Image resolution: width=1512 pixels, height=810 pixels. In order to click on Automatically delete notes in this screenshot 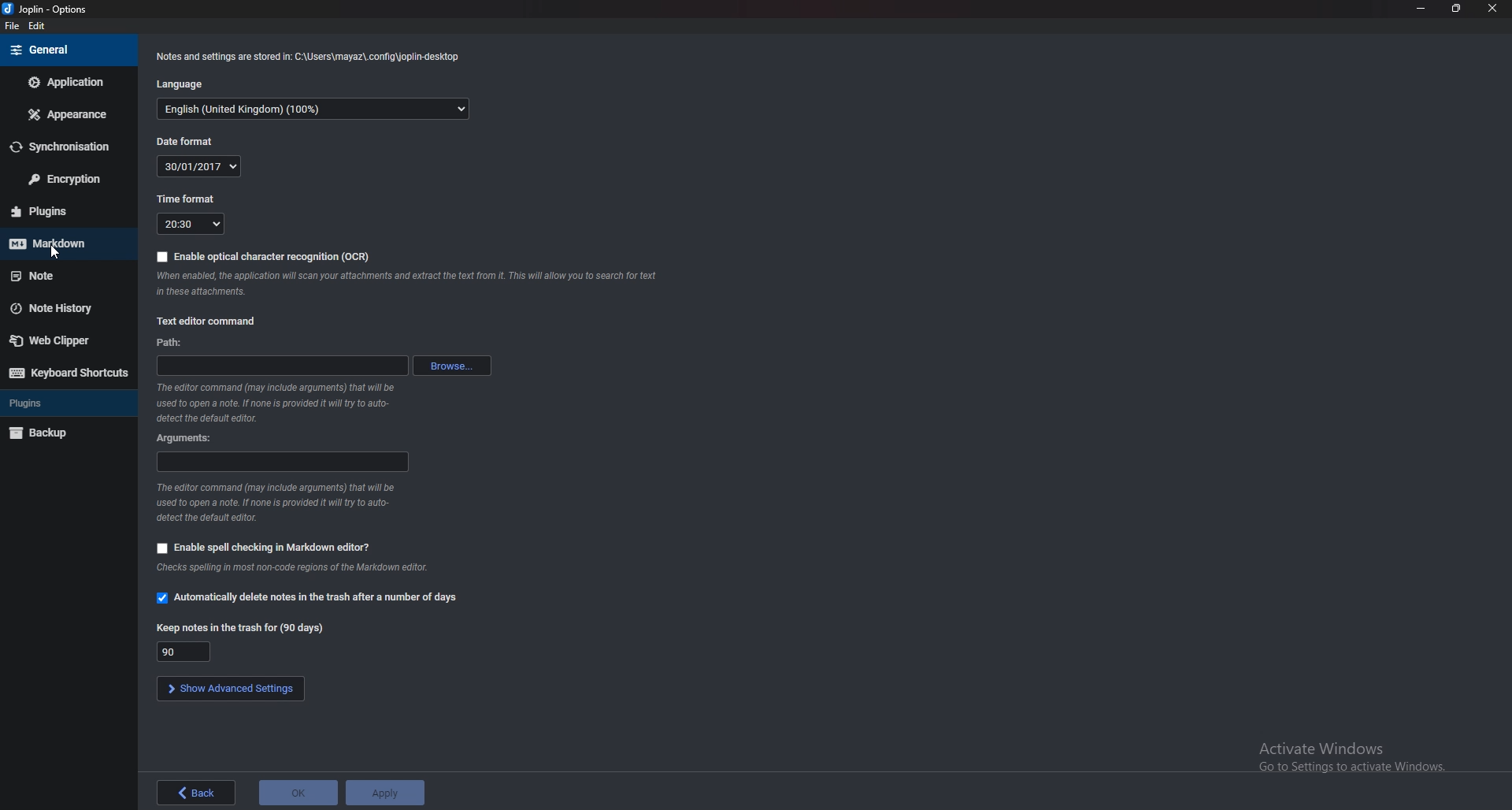, I will do `click(309, 600)`.